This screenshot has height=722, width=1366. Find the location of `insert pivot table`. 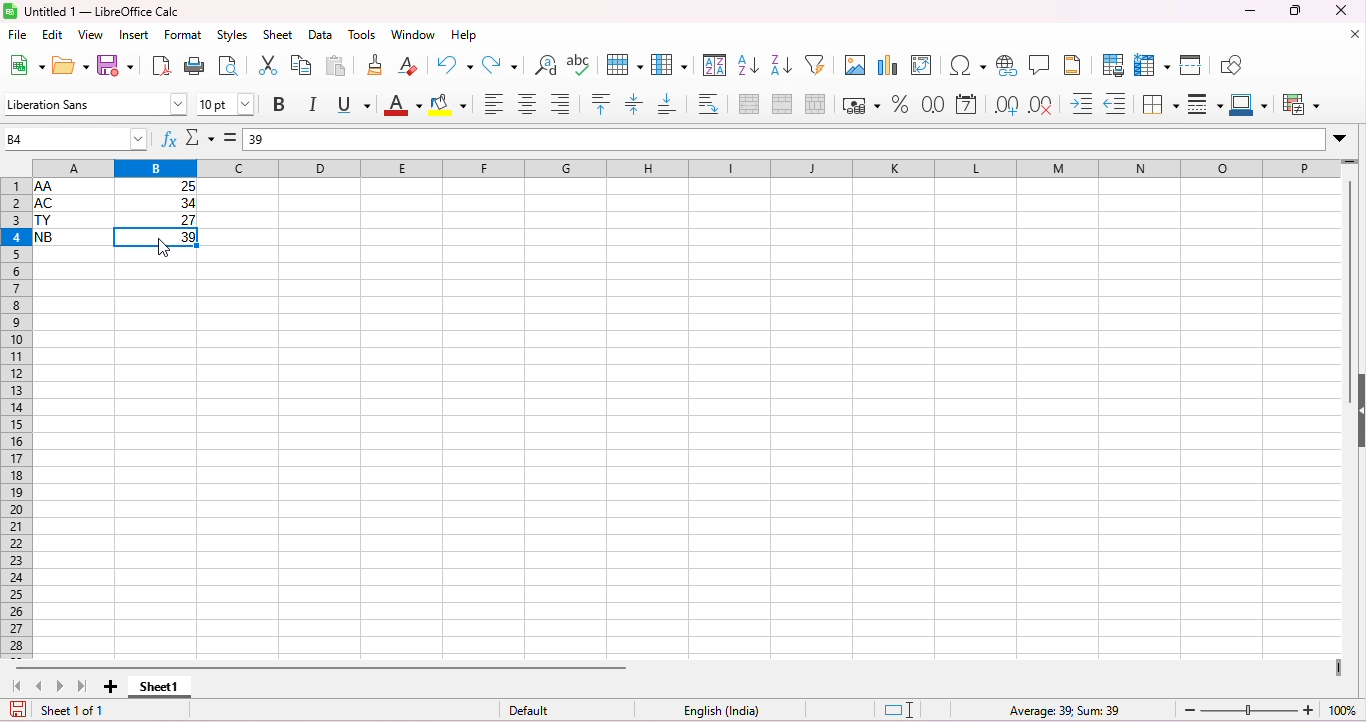

insert pivot table is located at coordinates (925, 64).